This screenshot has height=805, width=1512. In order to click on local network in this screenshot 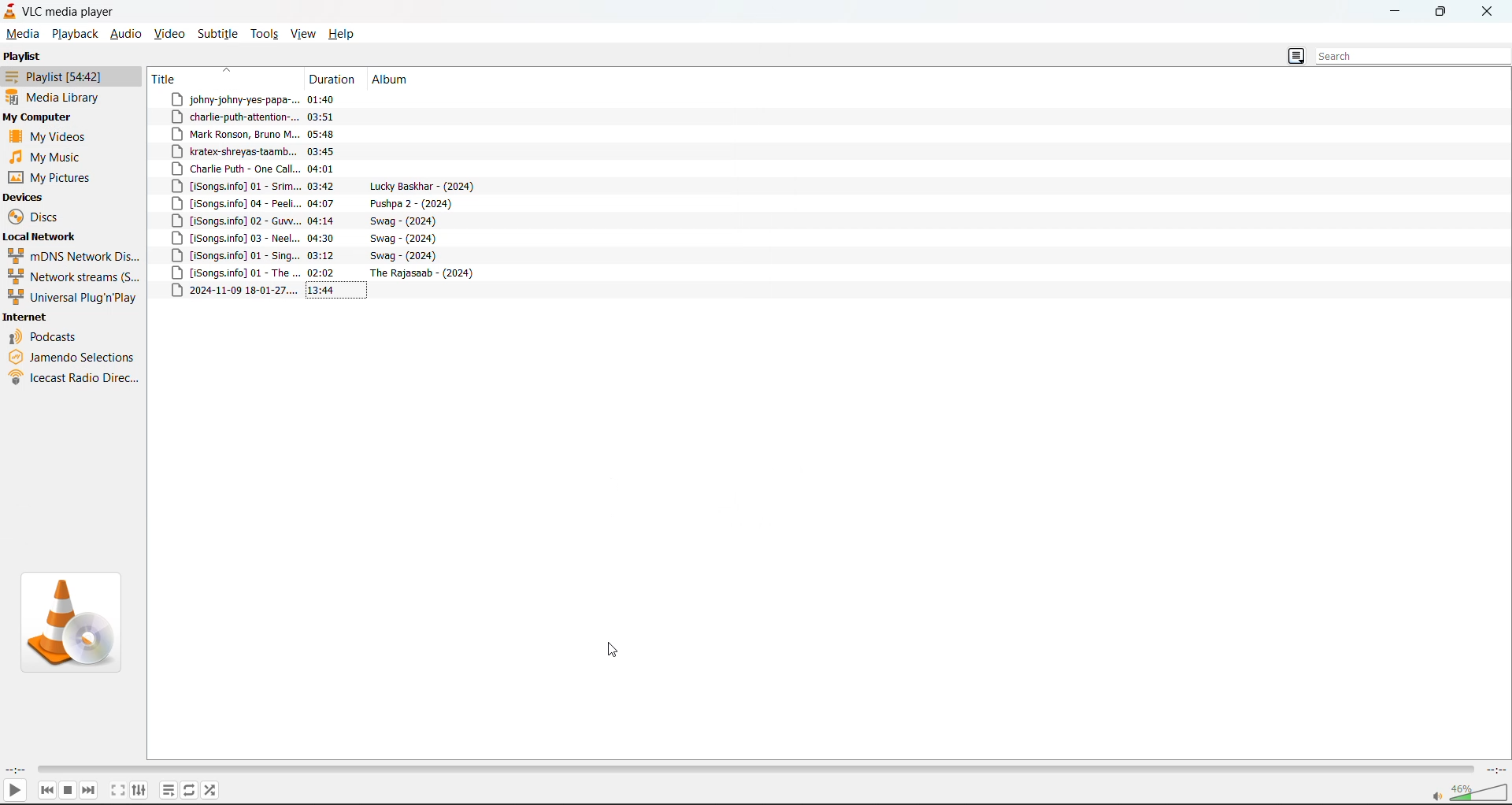, I will do `click(42, 236)`.